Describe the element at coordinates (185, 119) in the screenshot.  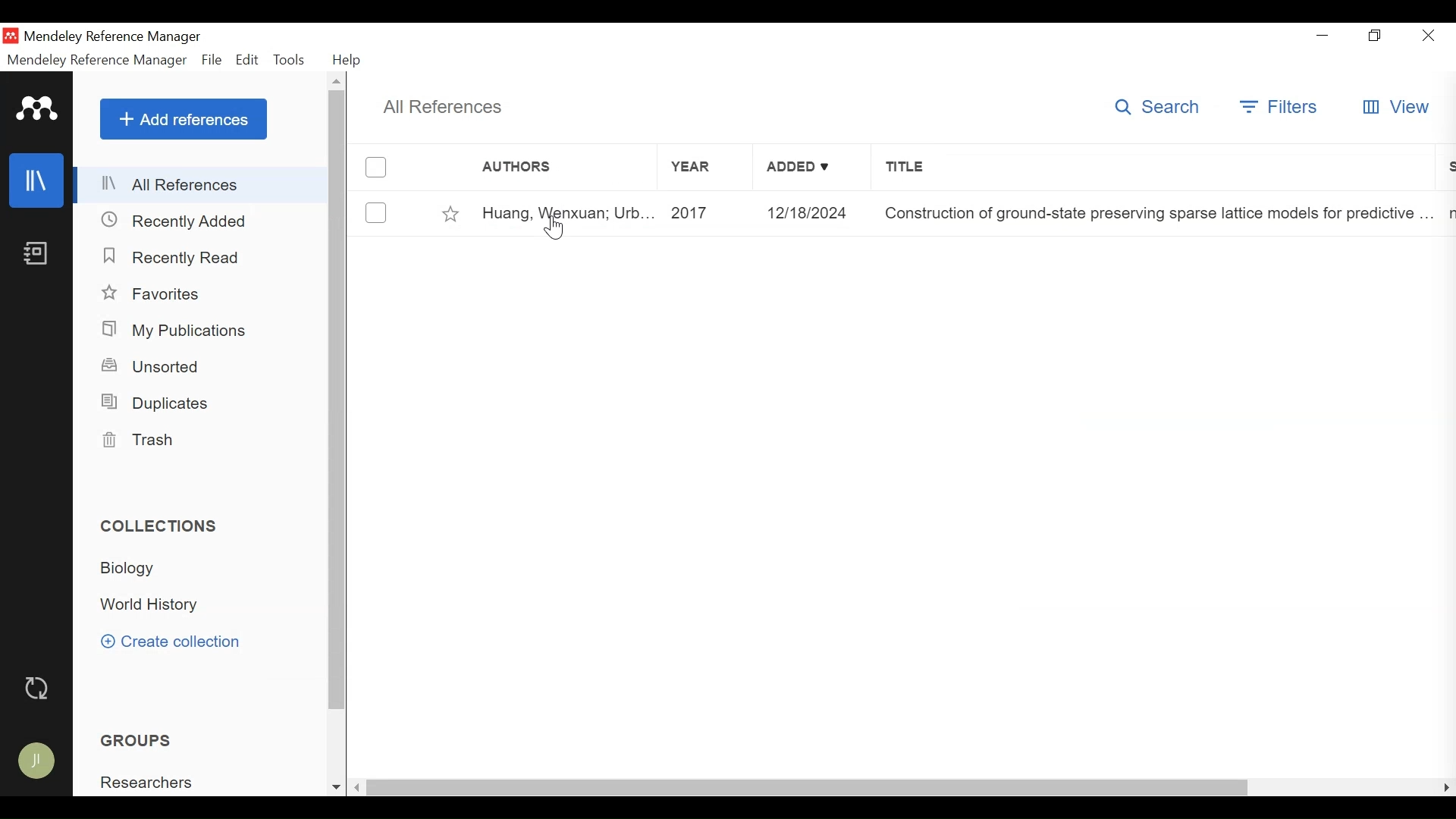
I see `Add Reference` at that location.